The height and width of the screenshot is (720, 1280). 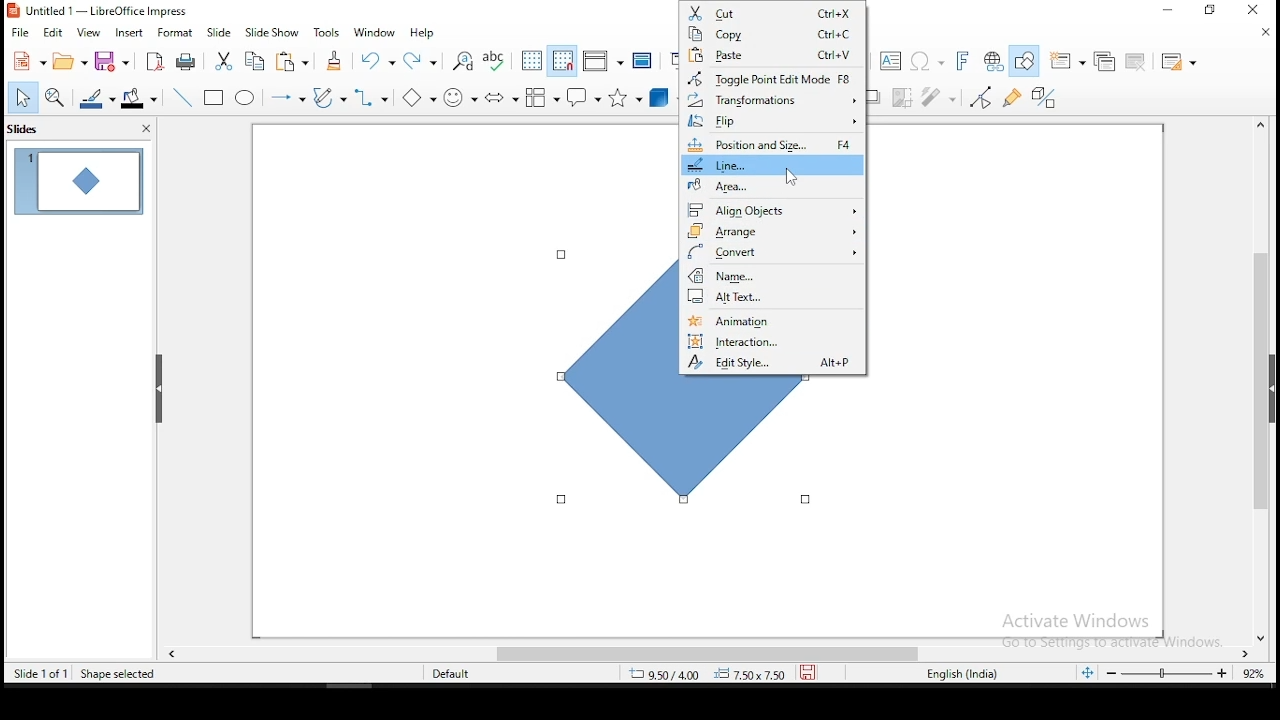 What do you see at coordinates (443, 675) in the screenshot?
I see `default` at bounding box center [443, 675].